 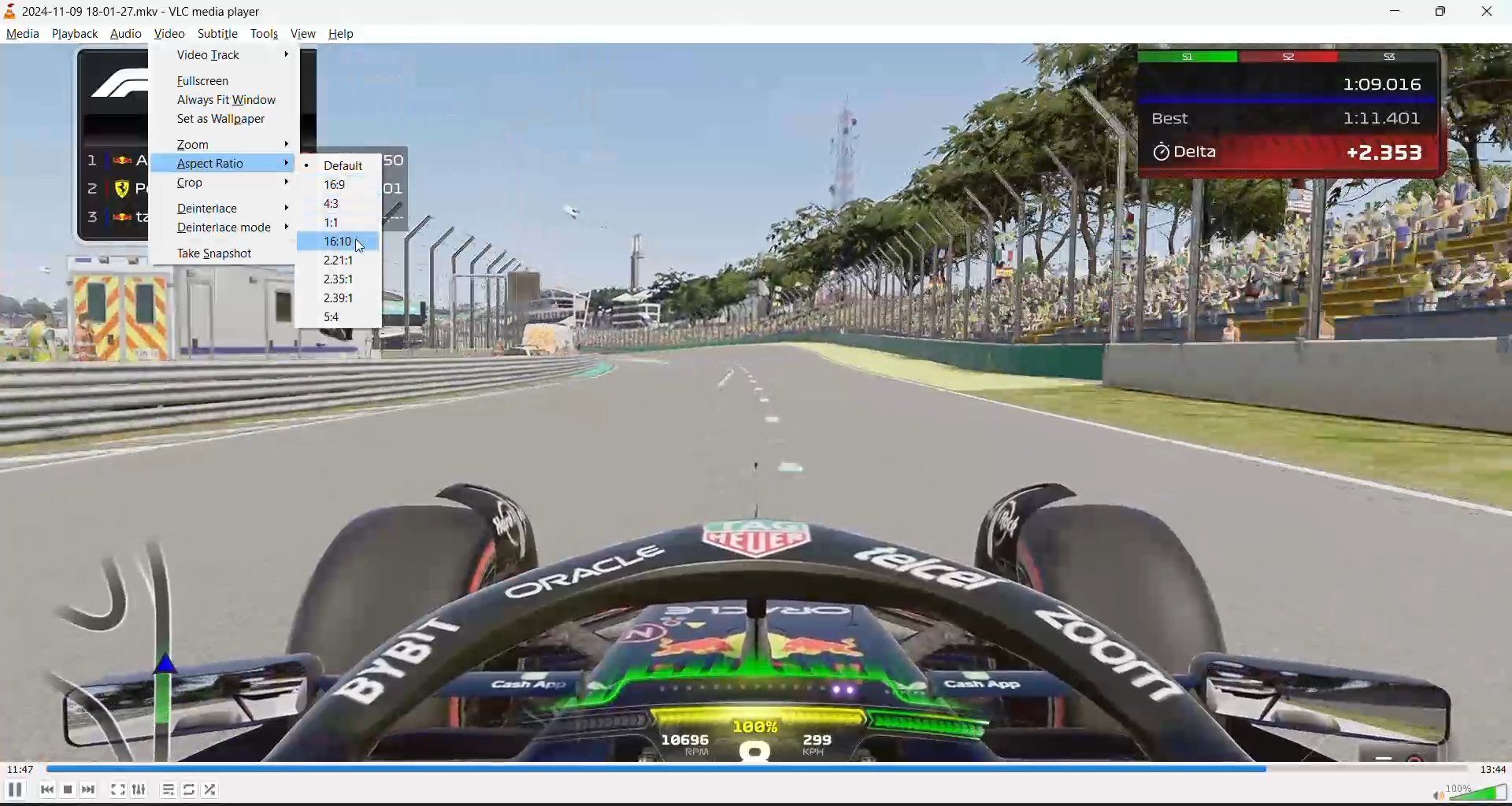 What do you see at coordinates (50, 788) in the screenshot?
I see `previous` at bounding box center [50, 788].